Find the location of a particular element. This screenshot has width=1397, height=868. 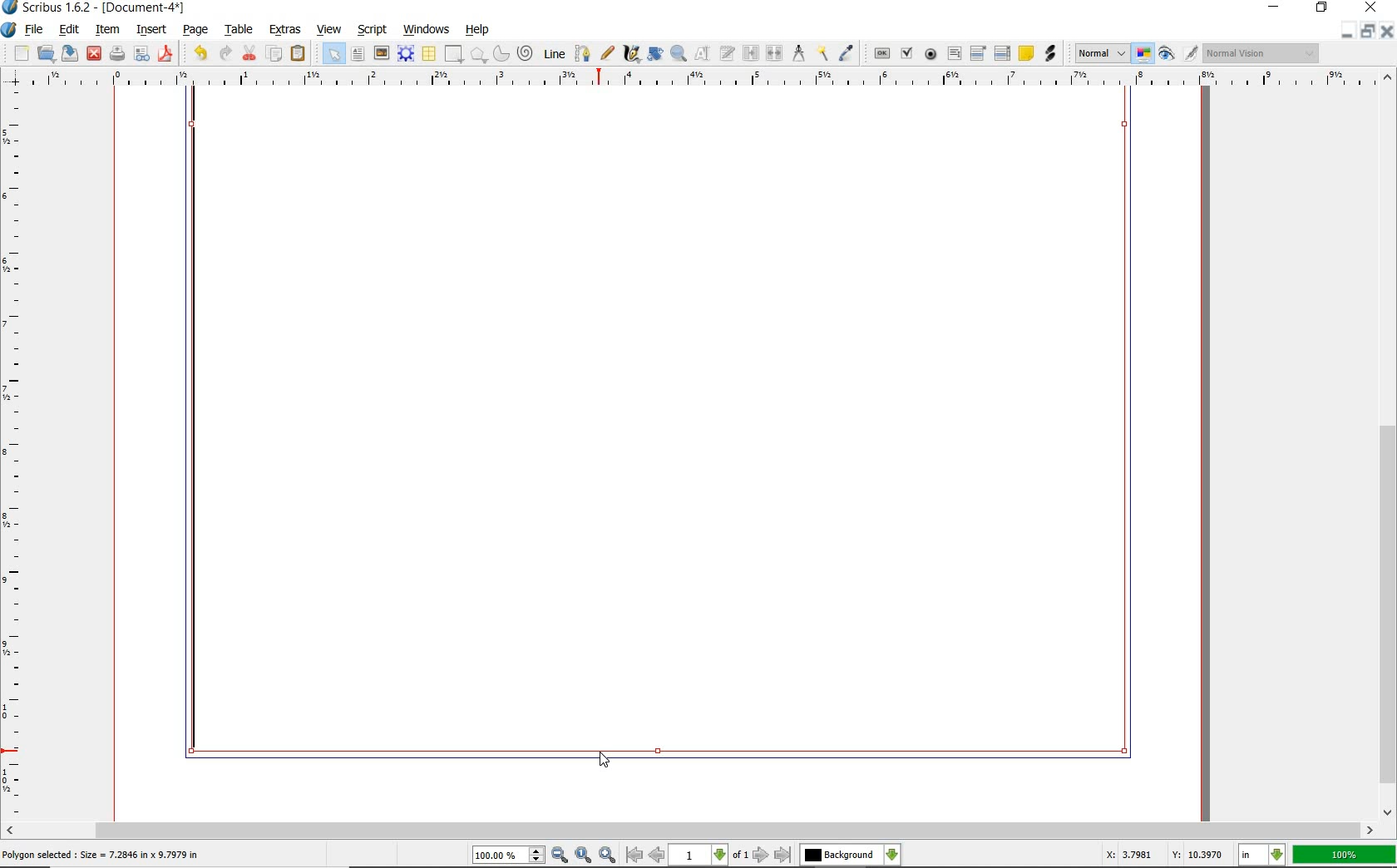

Normal Vision is located at coordinates (1261, 52).